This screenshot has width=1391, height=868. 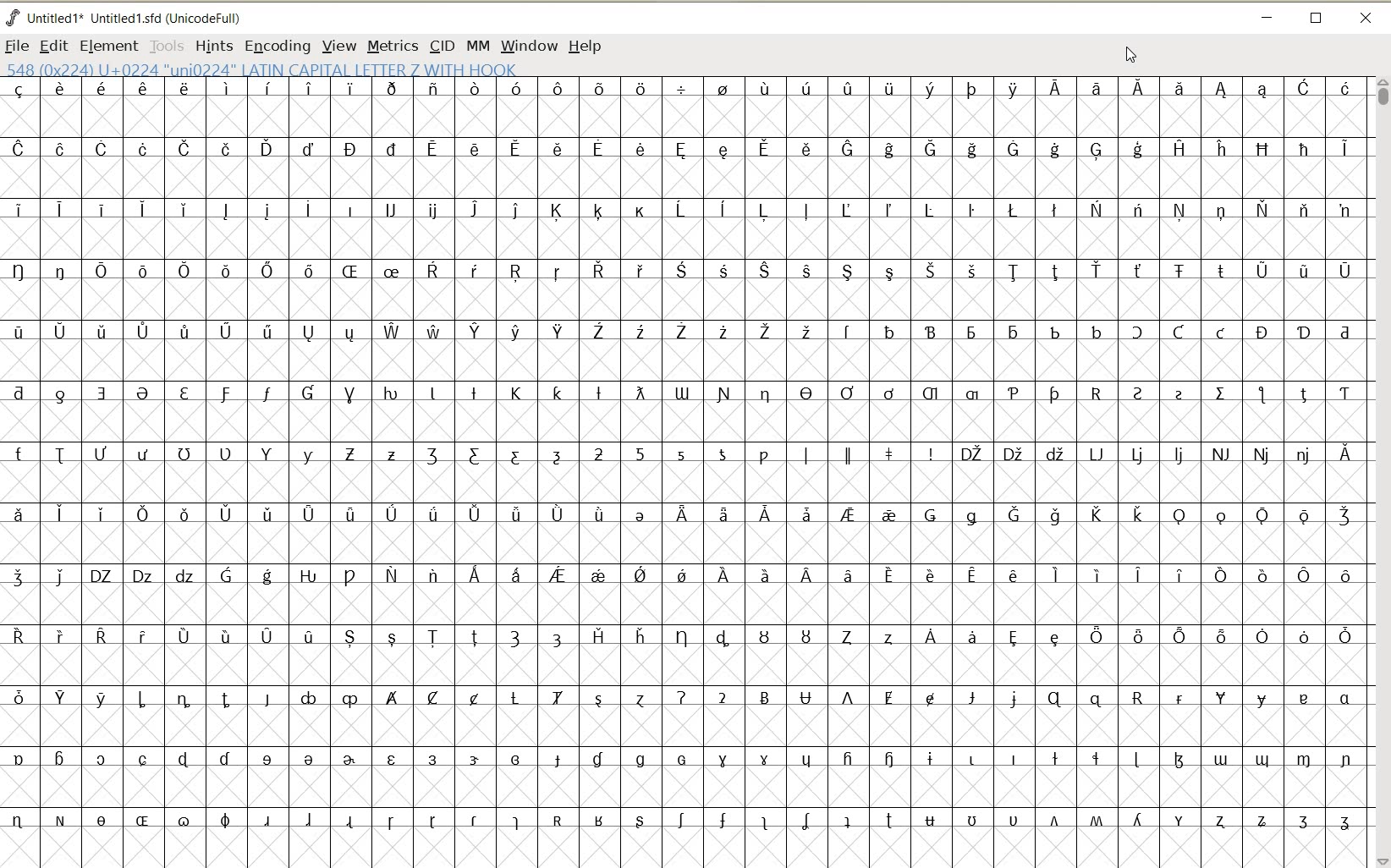 What do you see at coordinates (476, 45) in the screenshot?
I see `MM` at bounding box center [476, 45].